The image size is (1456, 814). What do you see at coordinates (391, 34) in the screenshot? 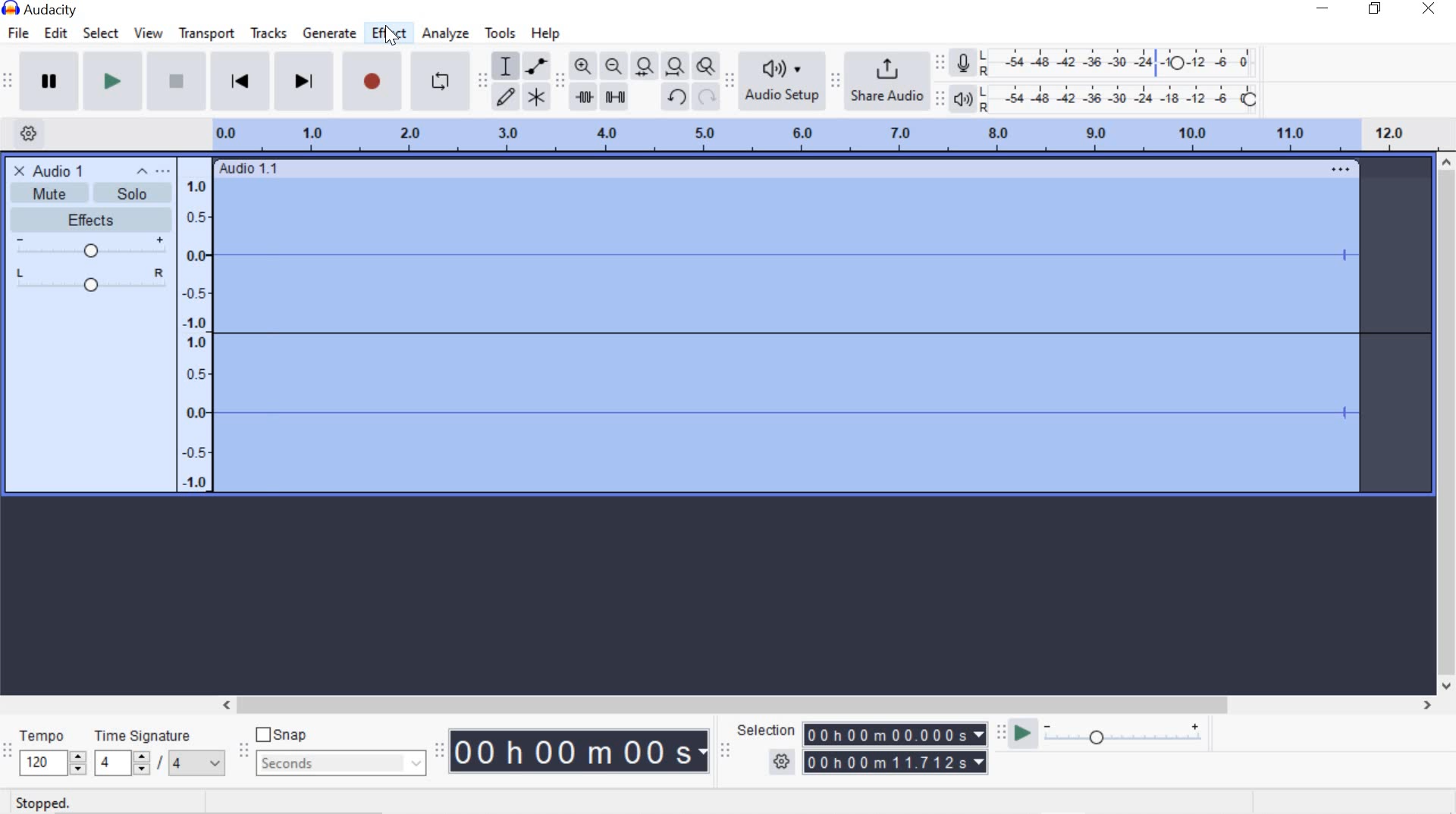
I see `cursor` at bounding box center [391, 34].